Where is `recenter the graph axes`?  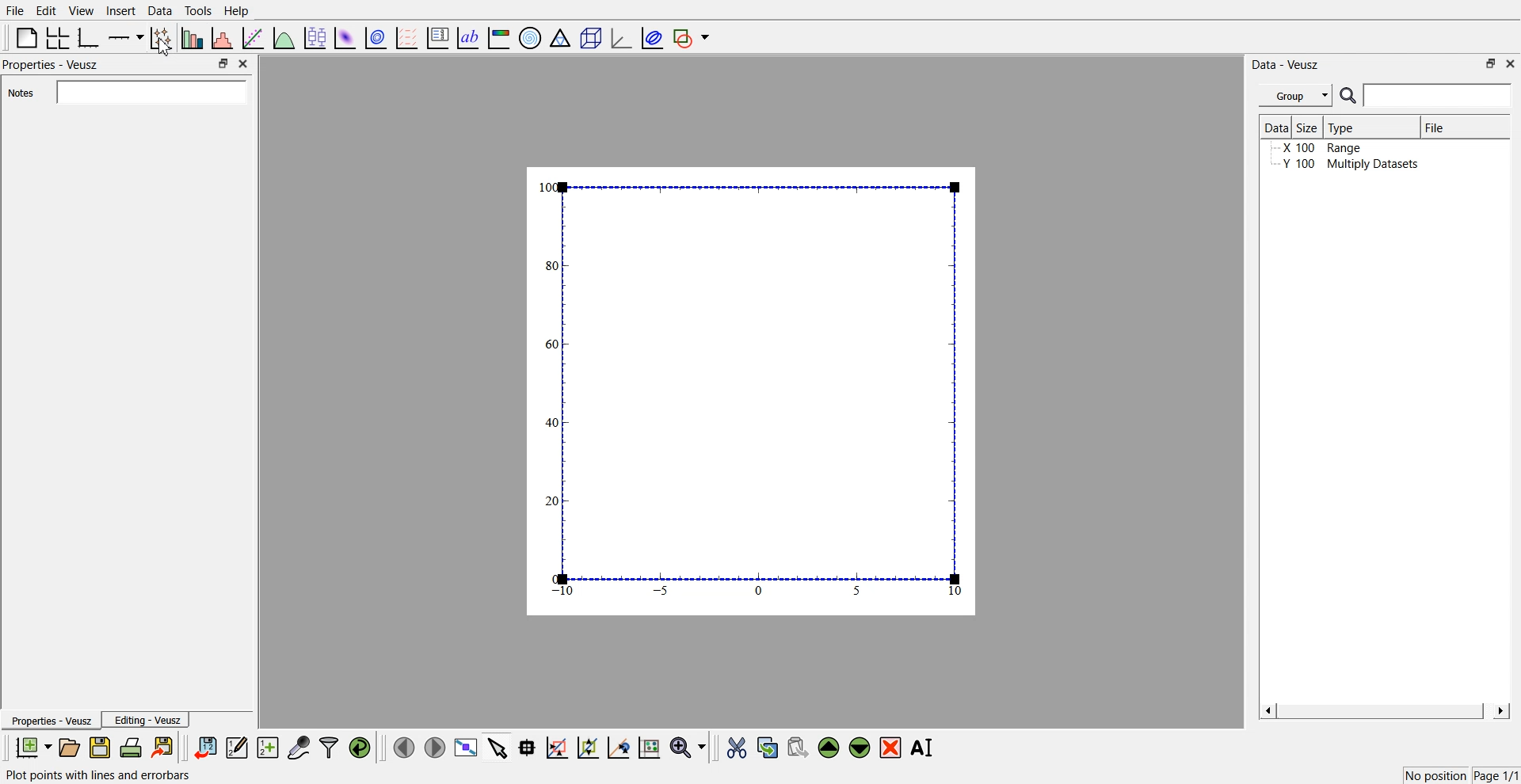 recenter the graph axes is located at coordinates (618, 747).